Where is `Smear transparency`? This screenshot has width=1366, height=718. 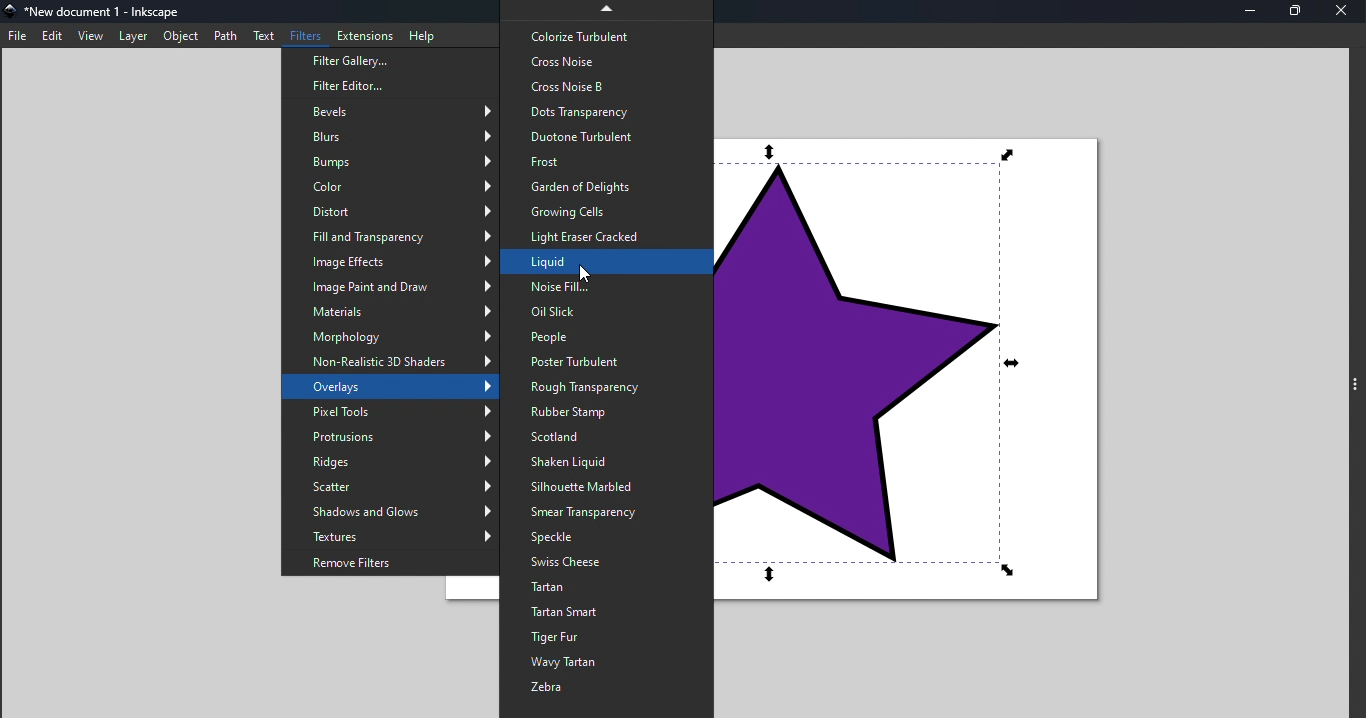 Smear transparency is located at coordinates (607, 512).